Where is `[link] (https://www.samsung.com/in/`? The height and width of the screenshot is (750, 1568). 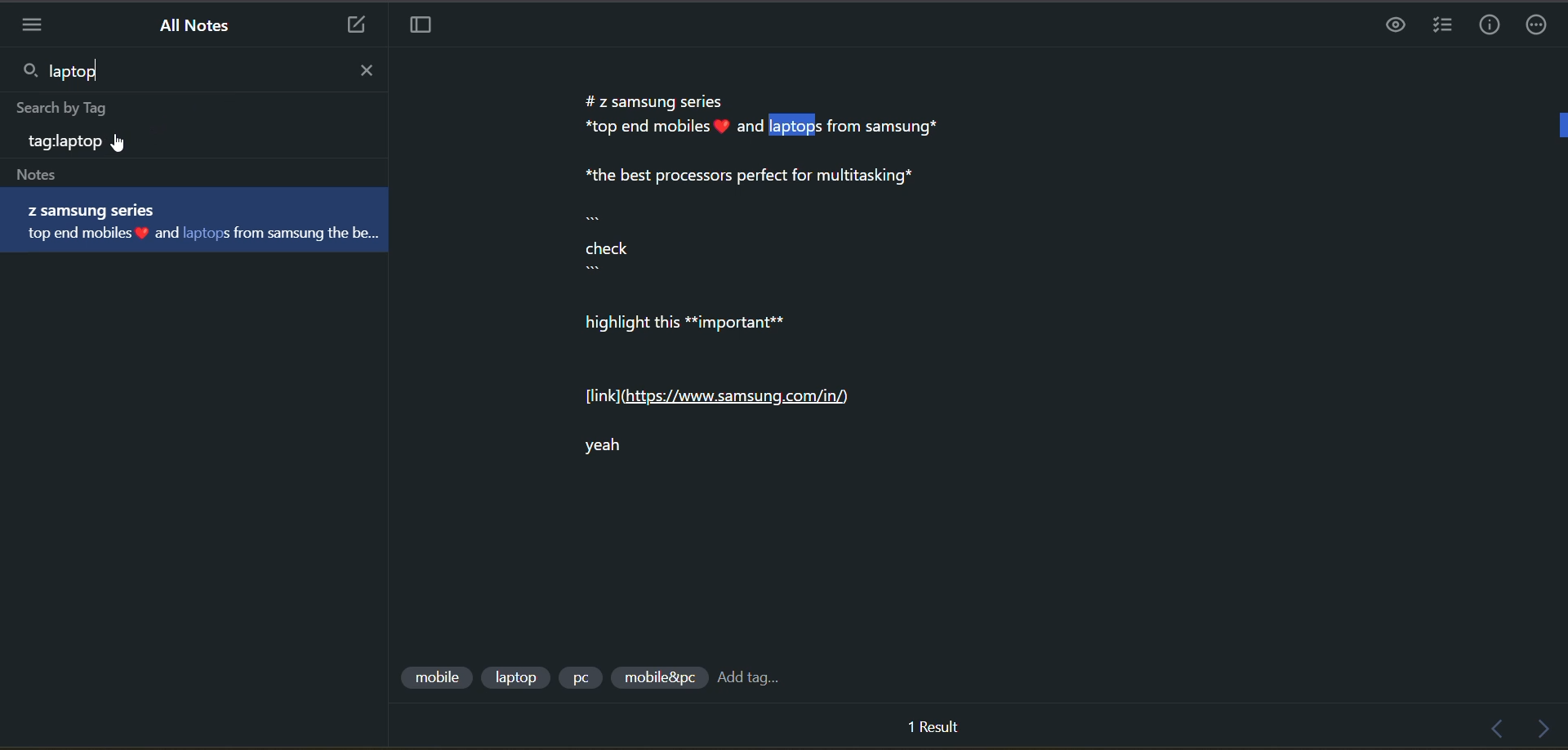
[link] (https://www.samsung.com/in/ is located at coordinates (726, 398).